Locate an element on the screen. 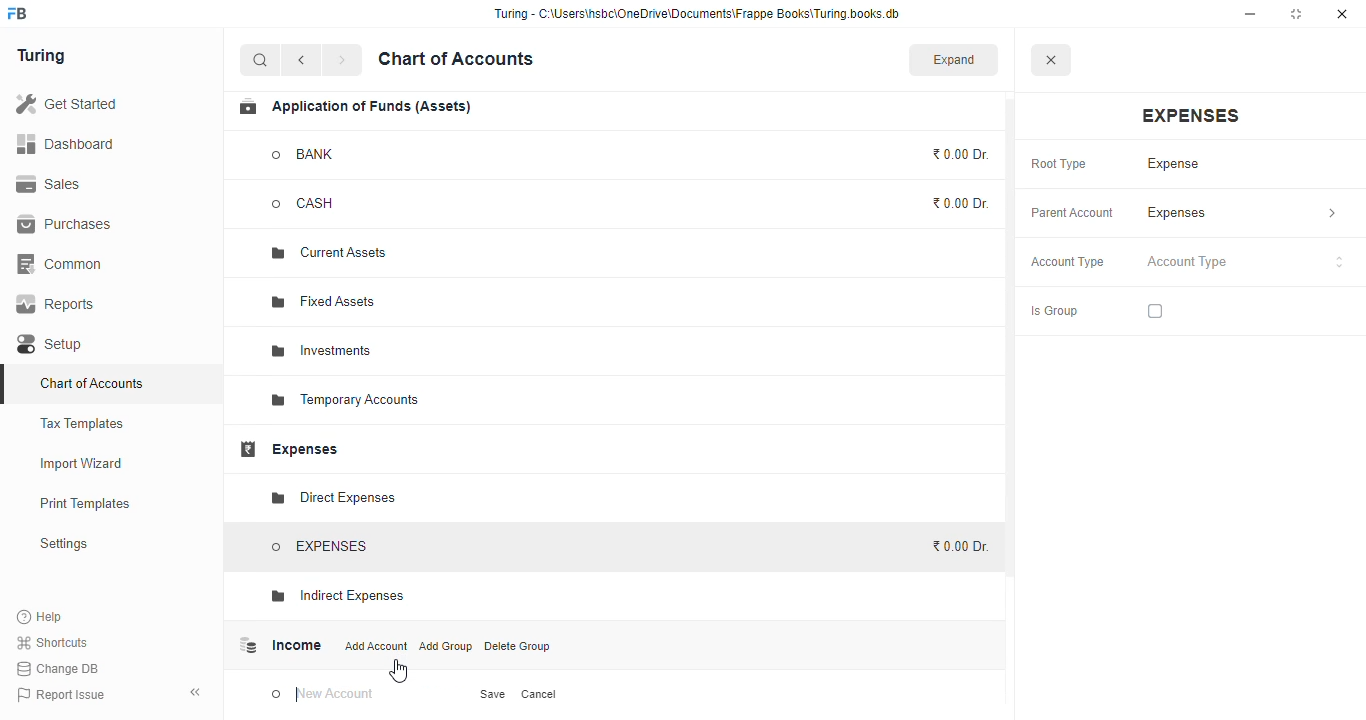 This screenshot has height=720, width=1366. chart of accounts is located at coordinates (456, 59).